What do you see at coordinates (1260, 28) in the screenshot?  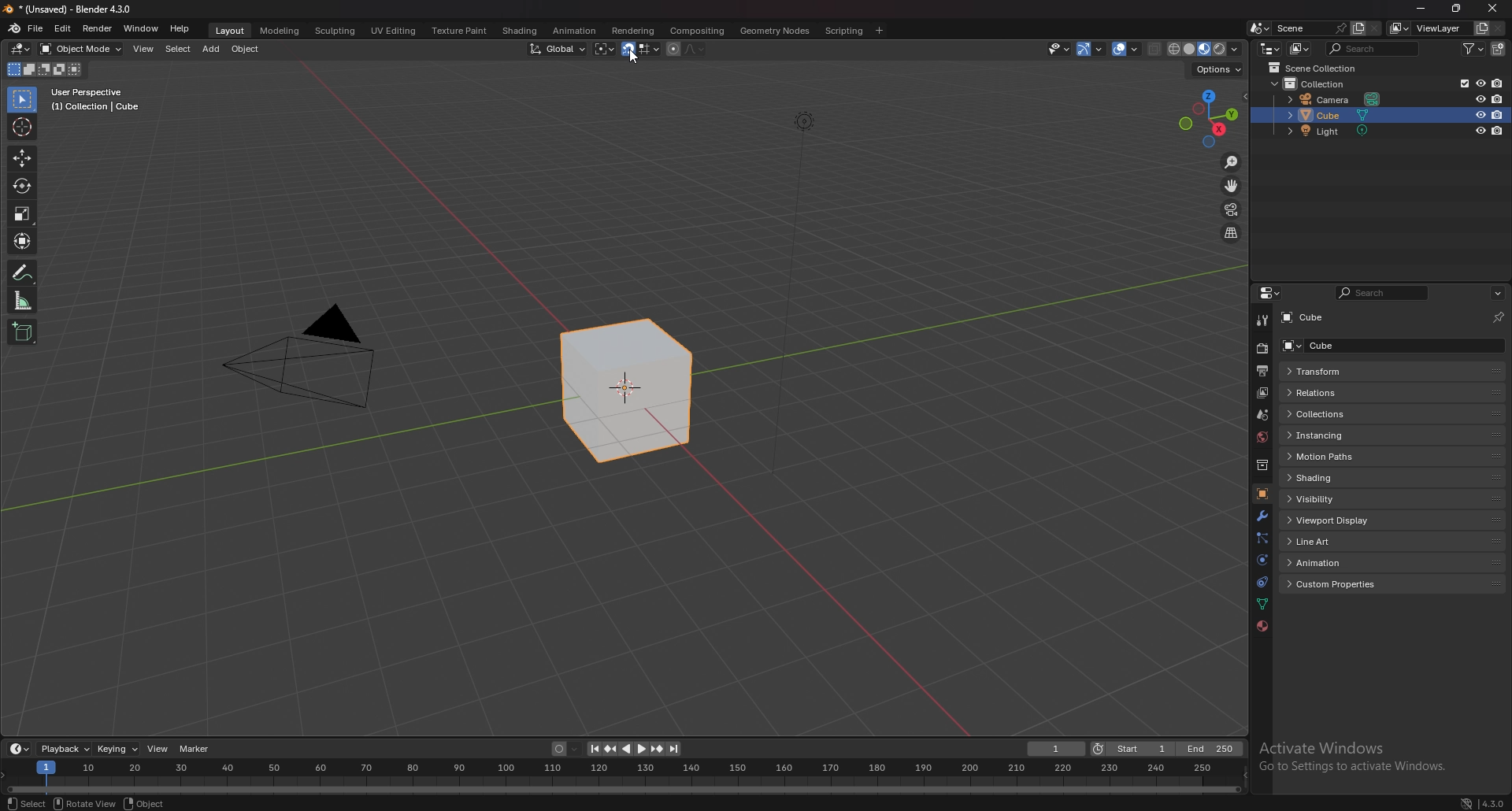 I see `browse scene` at bounding box center [1260, 28].